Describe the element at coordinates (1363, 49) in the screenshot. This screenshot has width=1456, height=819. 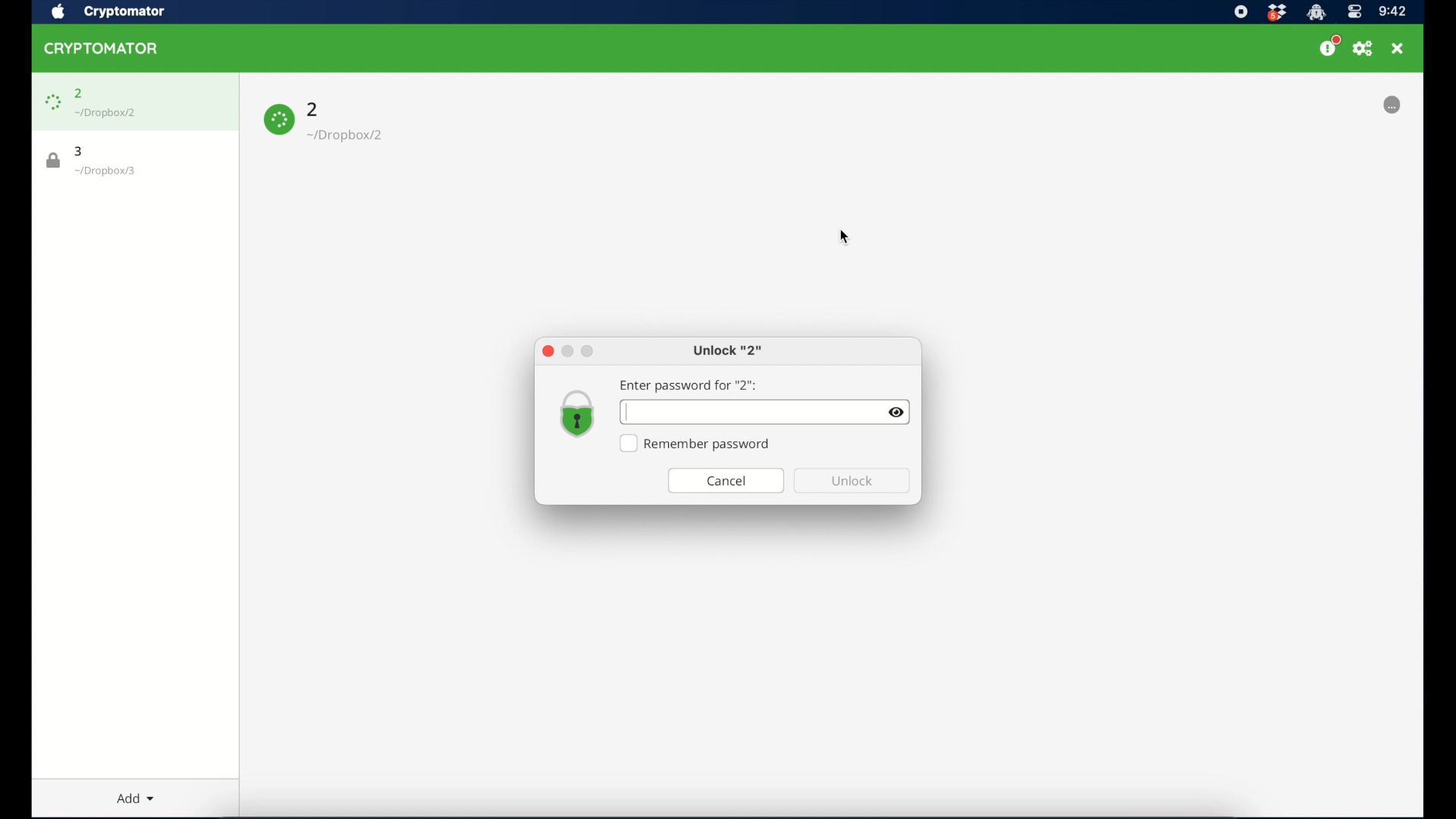
I see `preferences` at that location.